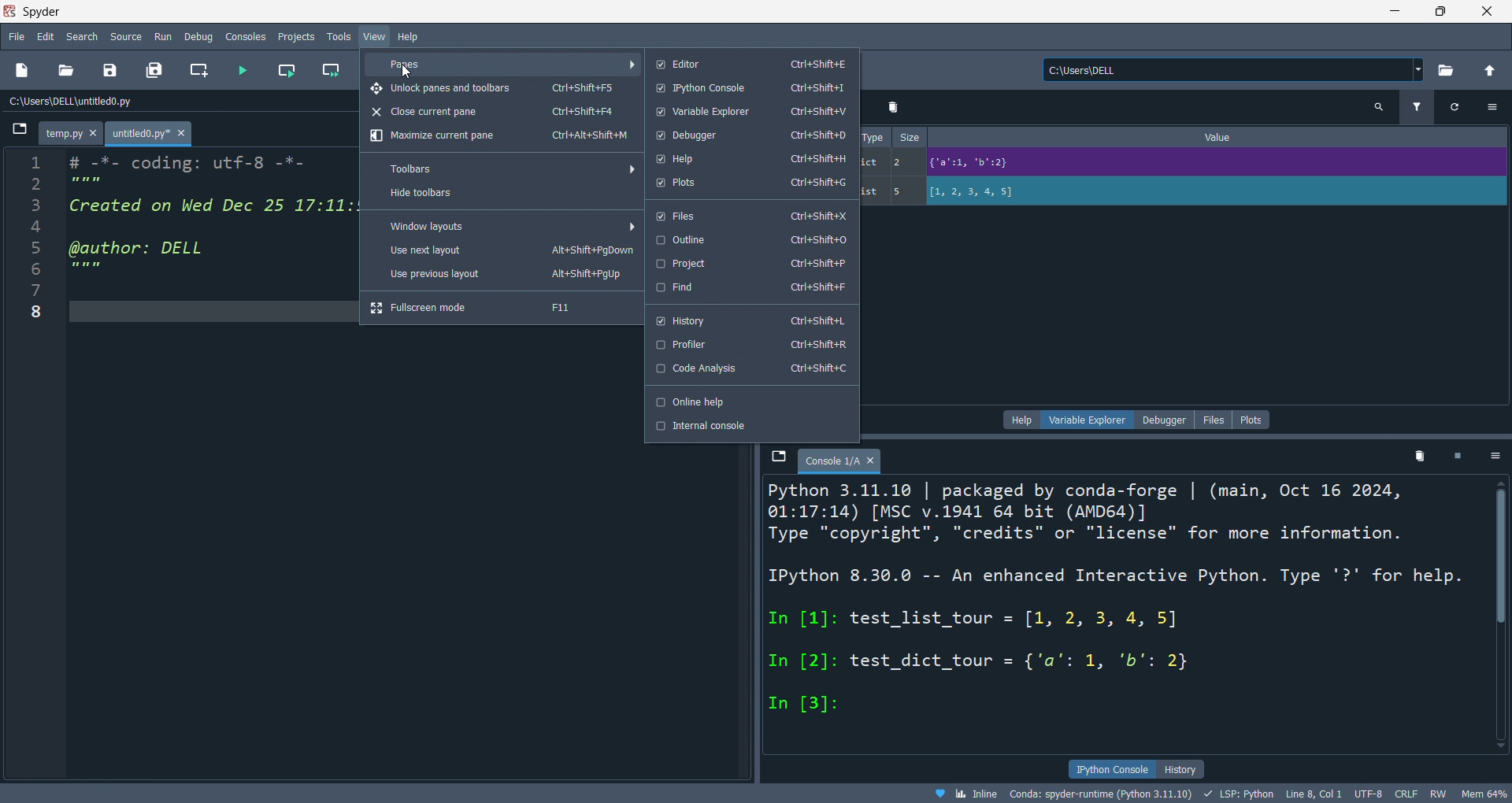 The image size is (1512, 803). Describe the element at coordinates (248, 35) in the screenshot. I see `consoles` at that location.